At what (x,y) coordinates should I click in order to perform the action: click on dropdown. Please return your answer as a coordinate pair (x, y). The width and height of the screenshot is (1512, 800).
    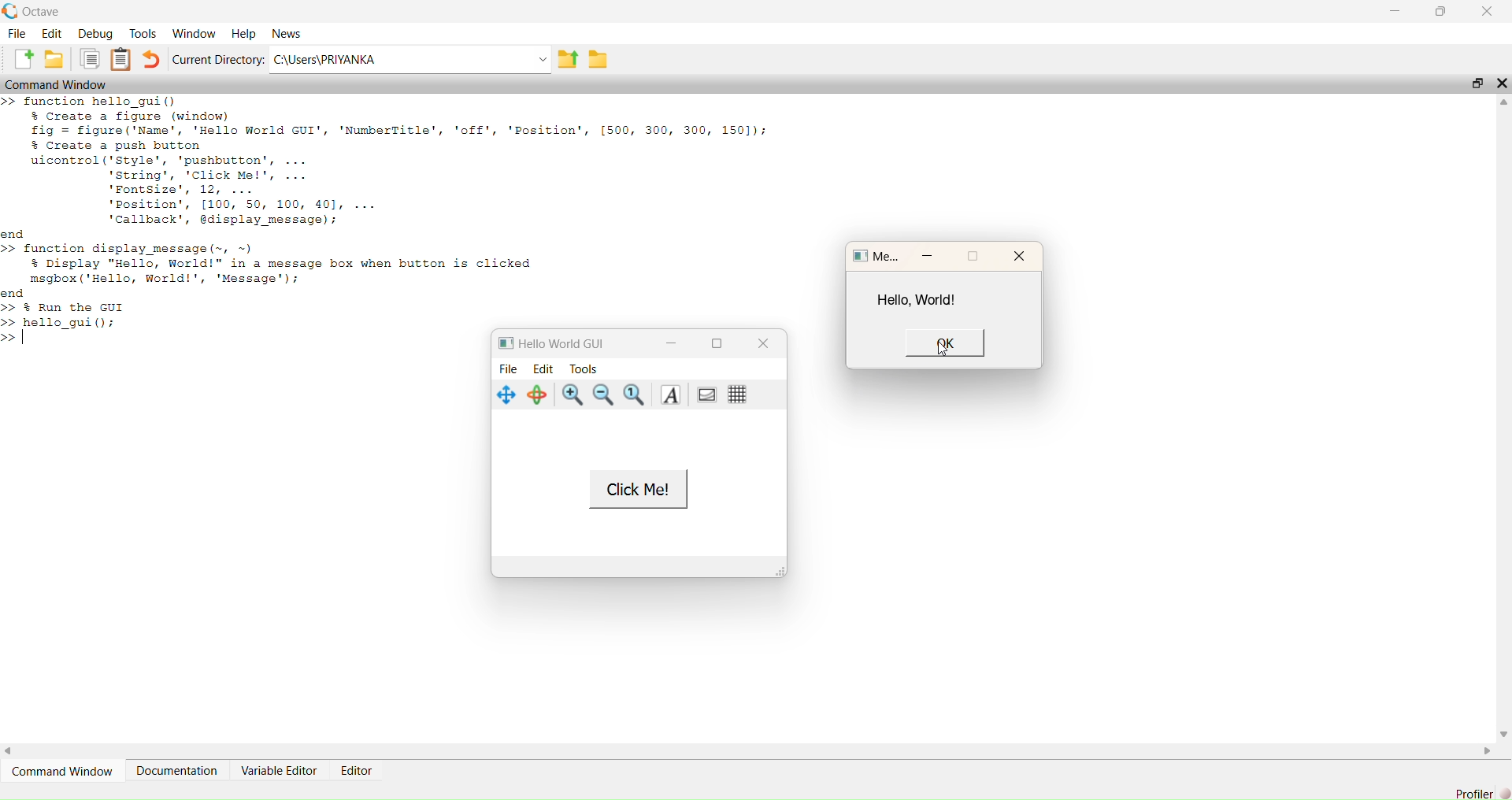
    Looking at the image, I should click on (537, 60).